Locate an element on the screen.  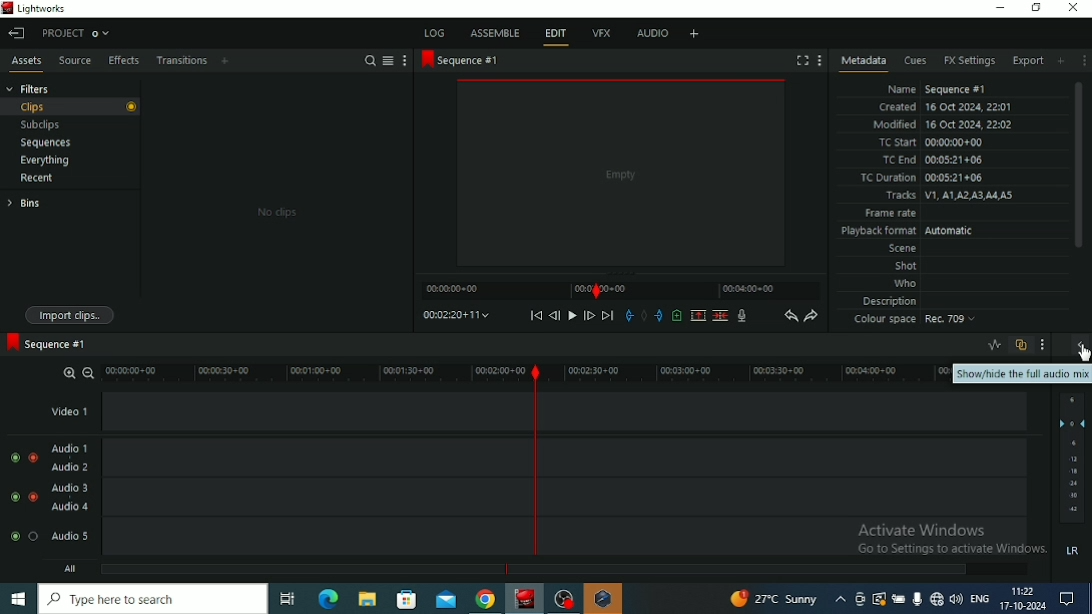
Solo this track is located at coordinates (33, 497).